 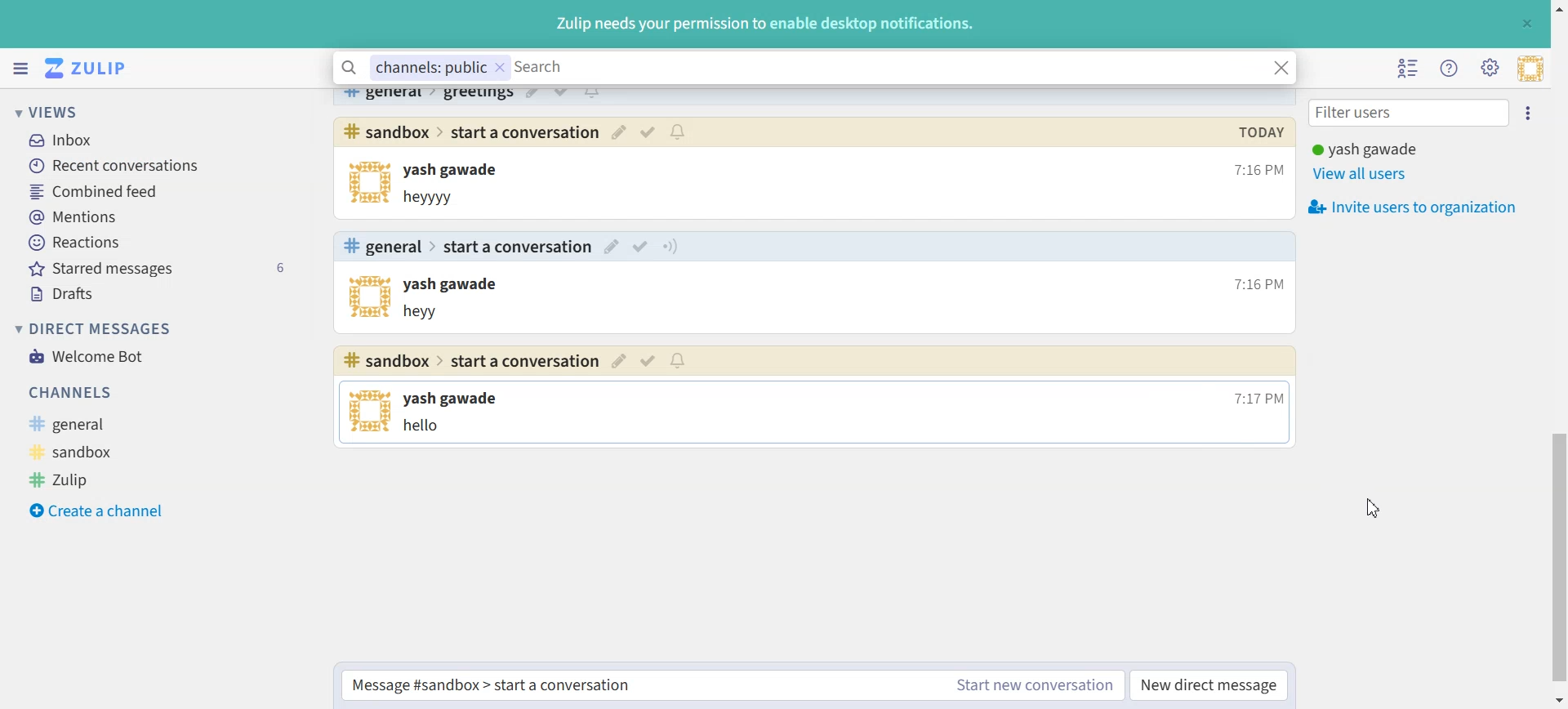 What do you see at coordinates (1490, 68) in the screenshot?
I see `Settings` at bounding box center [1490, 68].